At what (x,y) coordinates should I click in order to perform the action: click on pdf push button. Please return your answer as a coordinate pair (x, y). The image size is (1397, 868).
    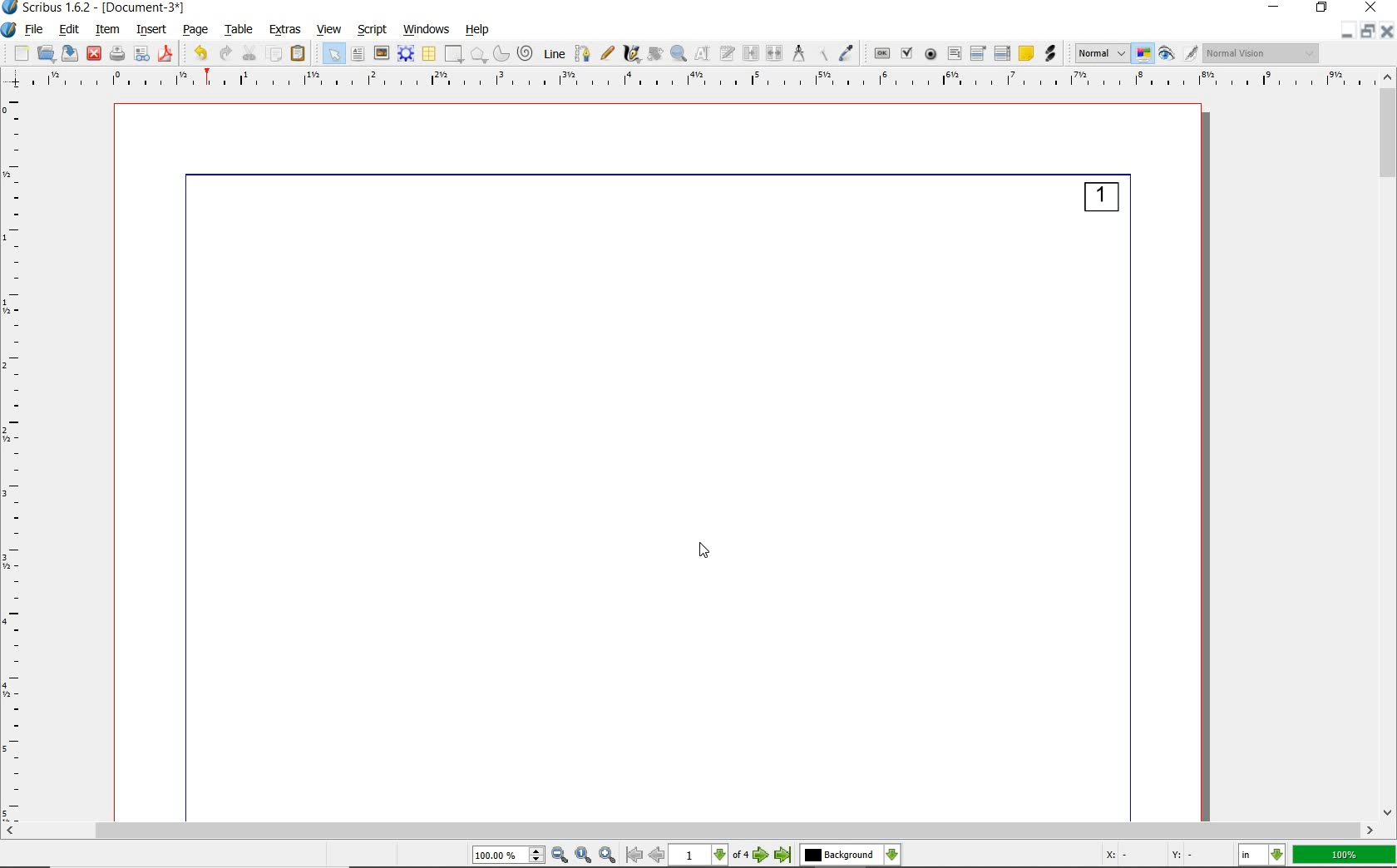
    Looking at the image, I should click on (881, 53).